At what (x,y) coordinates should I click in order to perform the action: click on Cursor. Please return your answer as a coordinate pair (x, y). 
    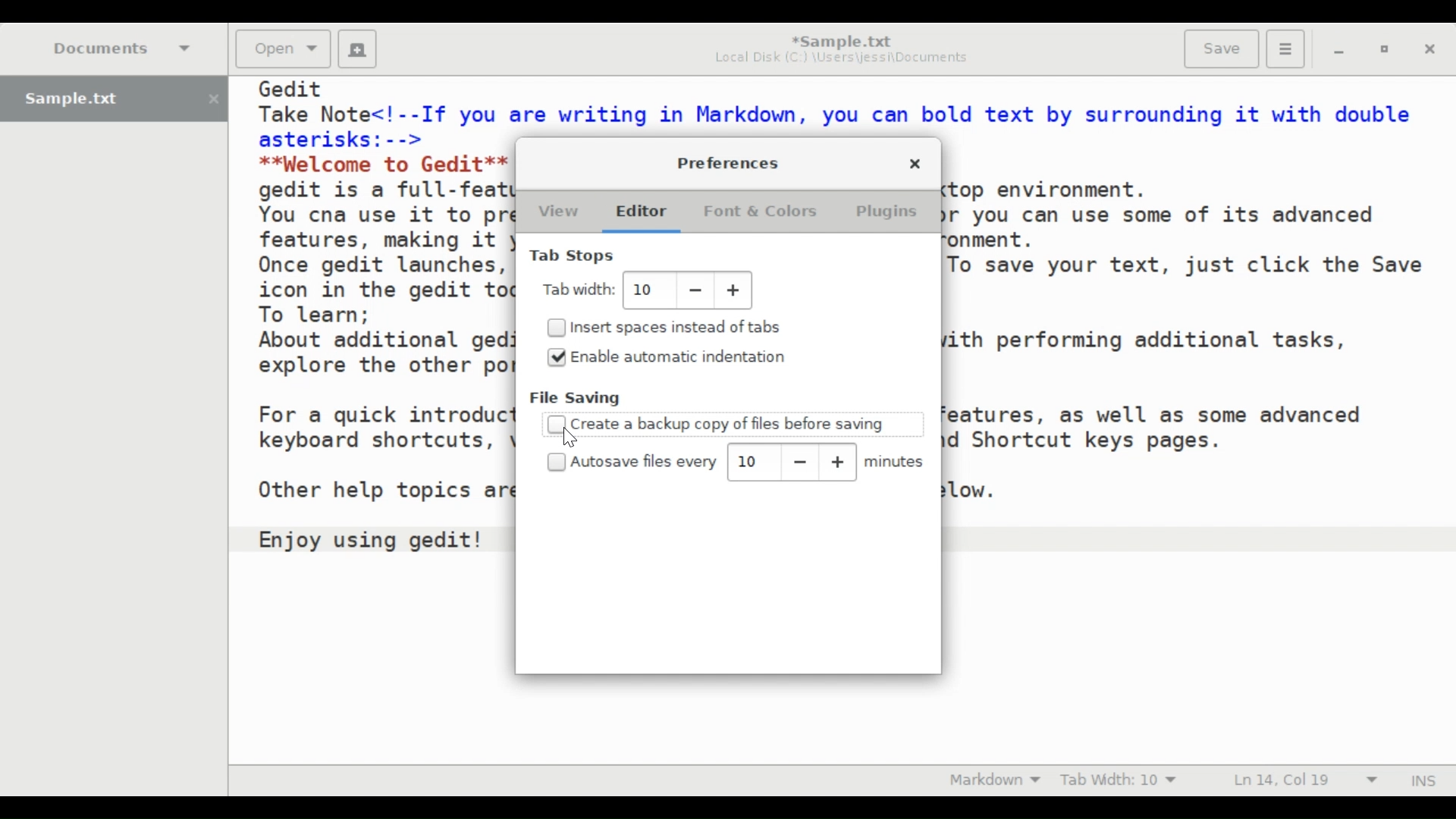
    Looking at the image, I should click on (570, 438).